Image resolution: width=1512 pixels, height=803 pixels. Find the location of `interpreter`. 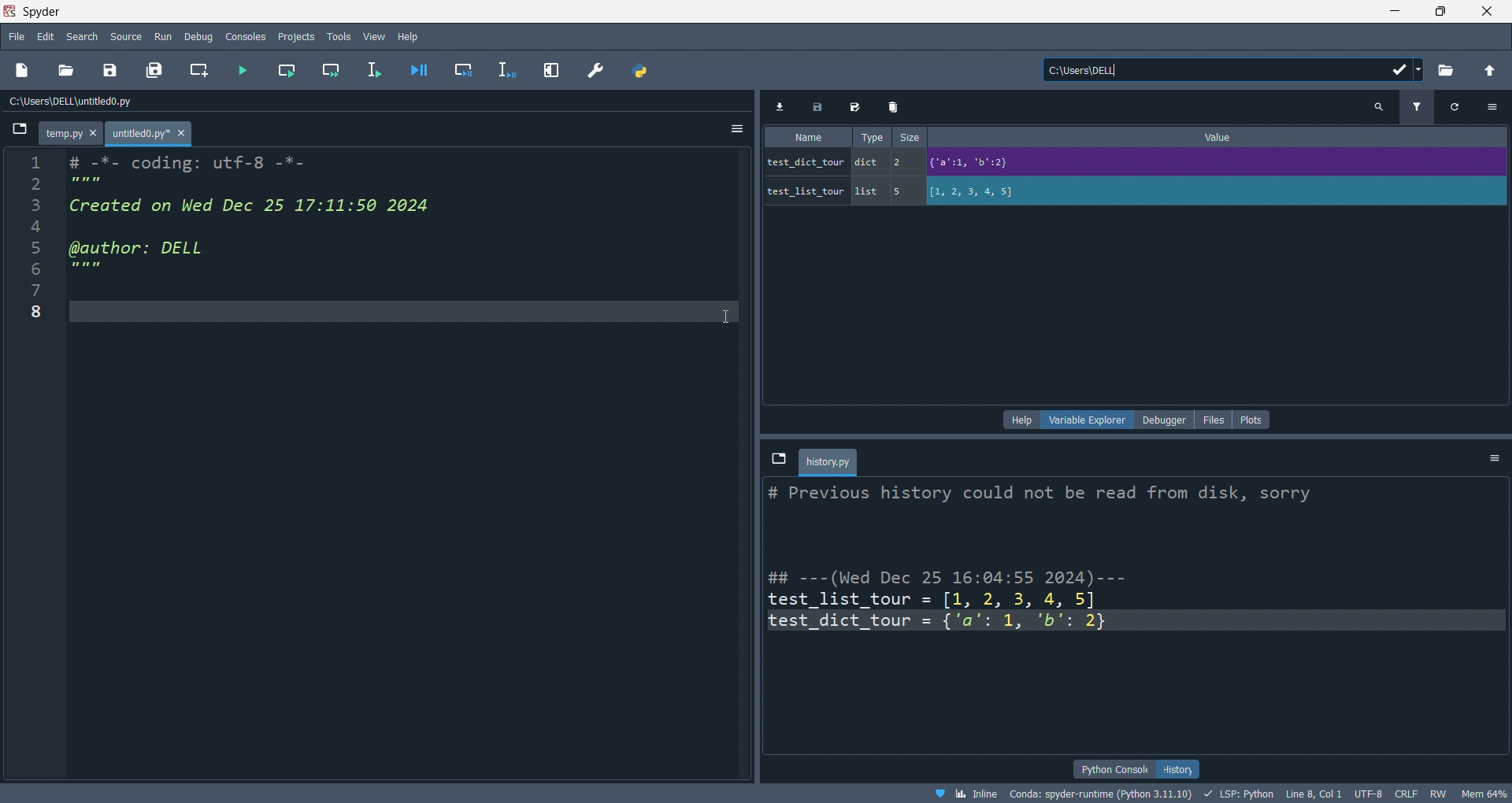

interpreter is located at coordinates (1102, 794).